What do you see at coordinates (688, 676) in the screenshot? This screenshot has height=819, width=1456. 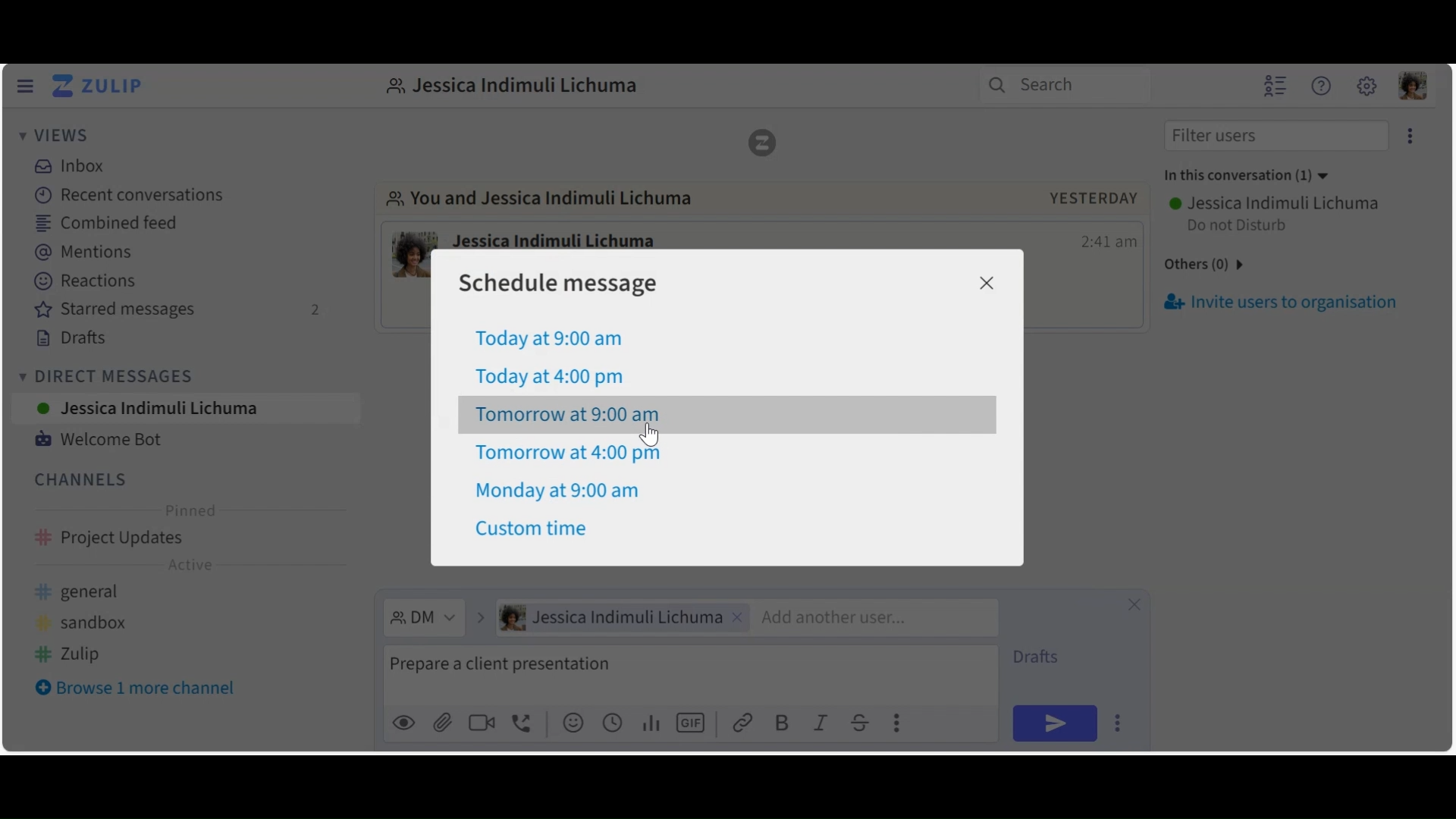 I see `Compose message` at bounding box center [688, 676].